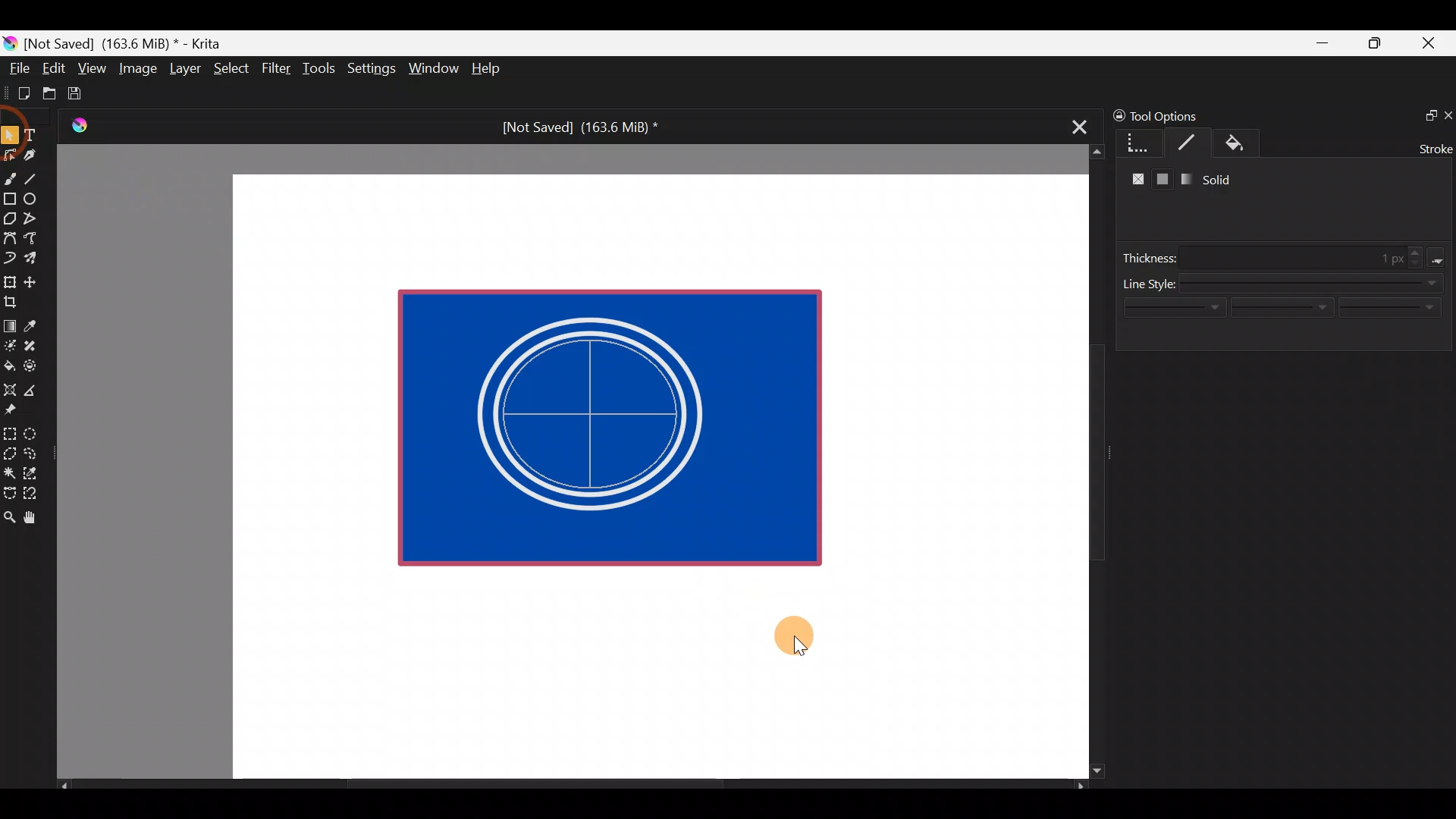 The height and width of the screenshot is (819, 1456). Describe the element at coordinates (13, 431) in the screenshot. I see `Rectangular selection tool` at that location.